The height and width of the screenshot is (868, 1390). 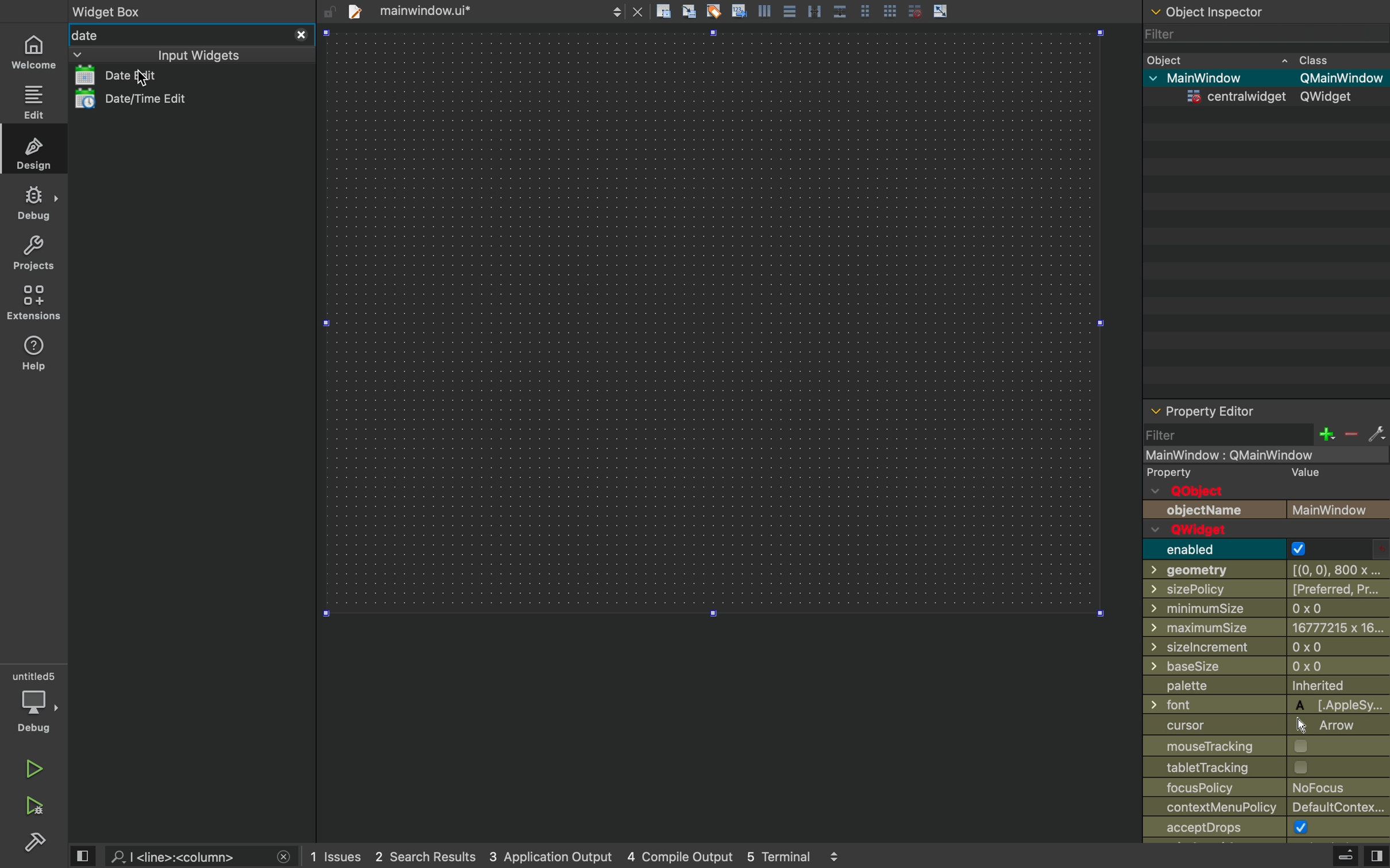 What do you see at coordinates (1265, 410) in the screenshot?
I see `property editor` at bounding box center [1265, 410].